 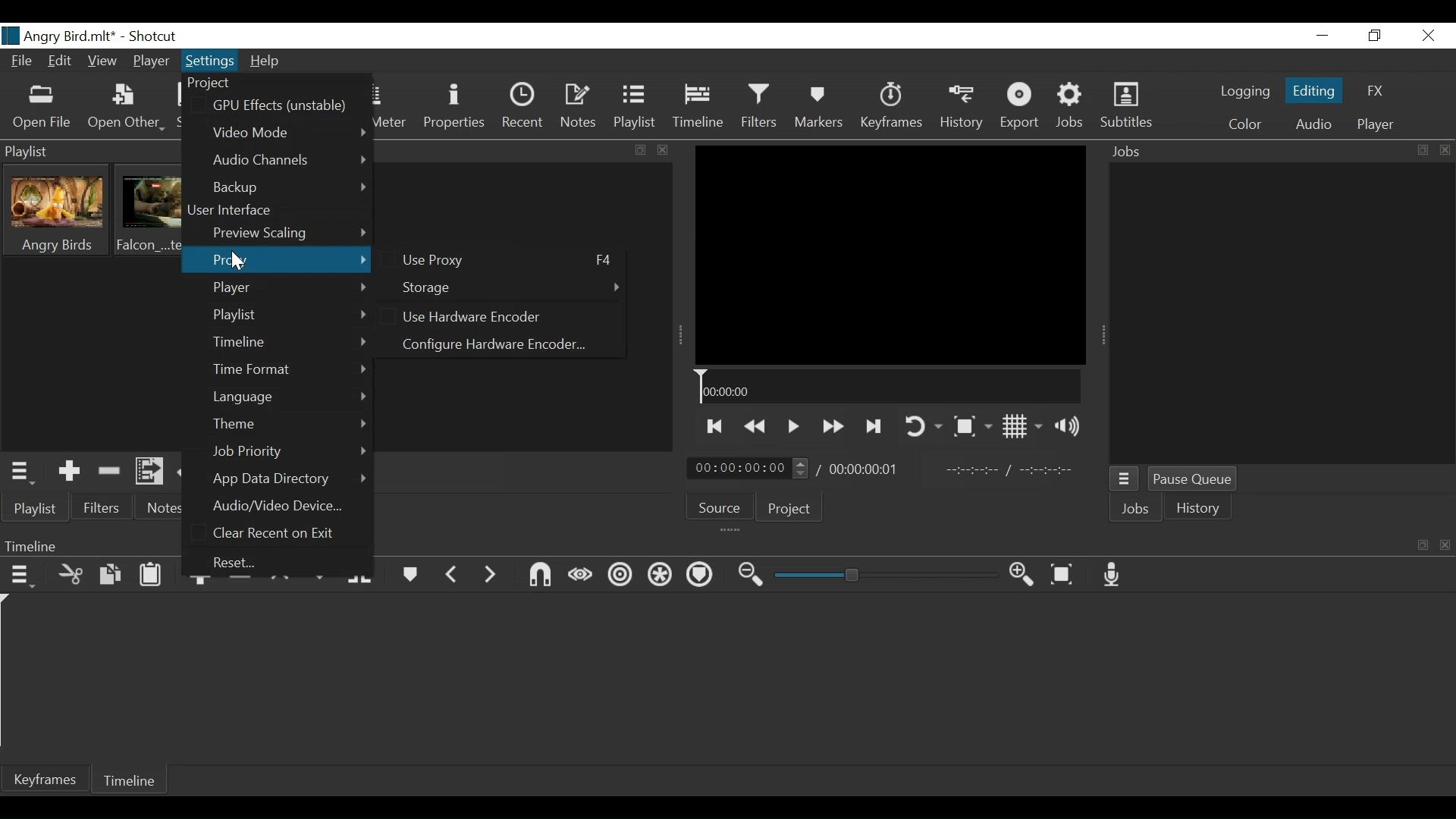 What do you see at coordinates (1447, 544) in the screenshot?
I see `close` at bounding box center [1447, 544].